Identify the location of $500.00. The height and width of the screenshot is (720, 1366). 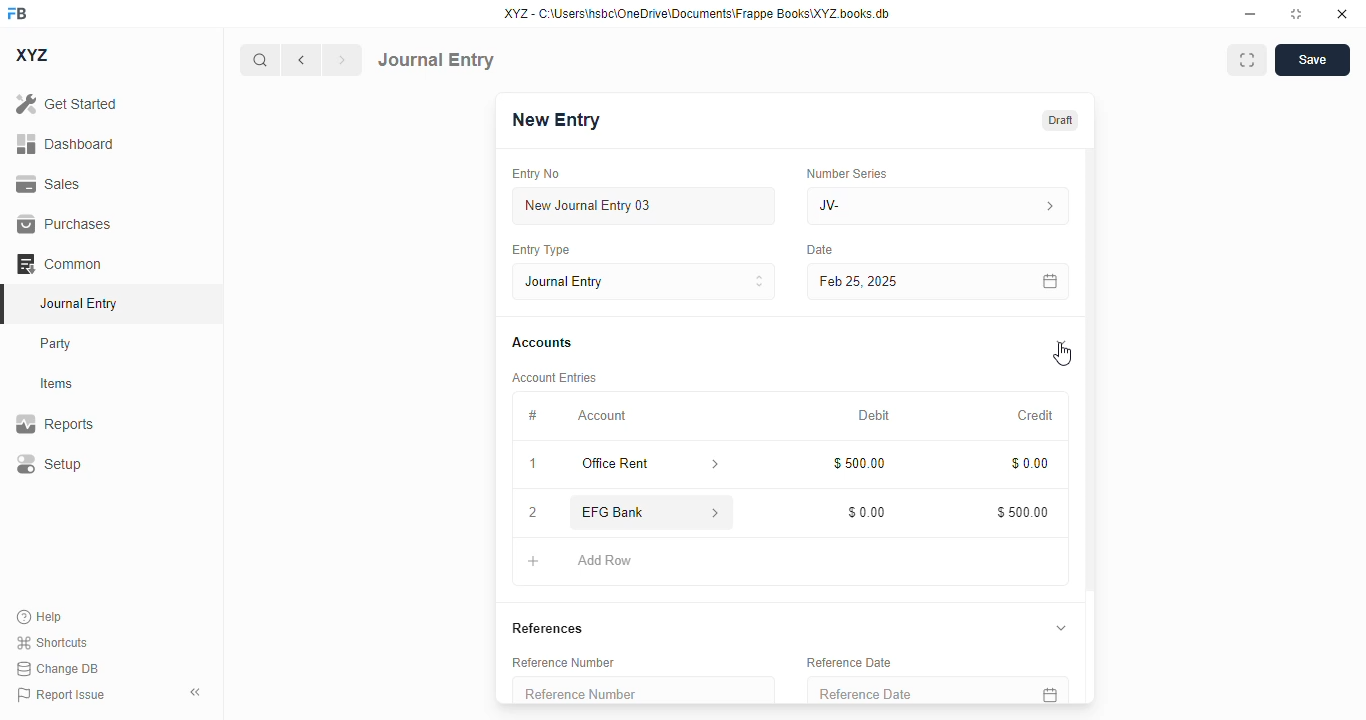
(861, 463).